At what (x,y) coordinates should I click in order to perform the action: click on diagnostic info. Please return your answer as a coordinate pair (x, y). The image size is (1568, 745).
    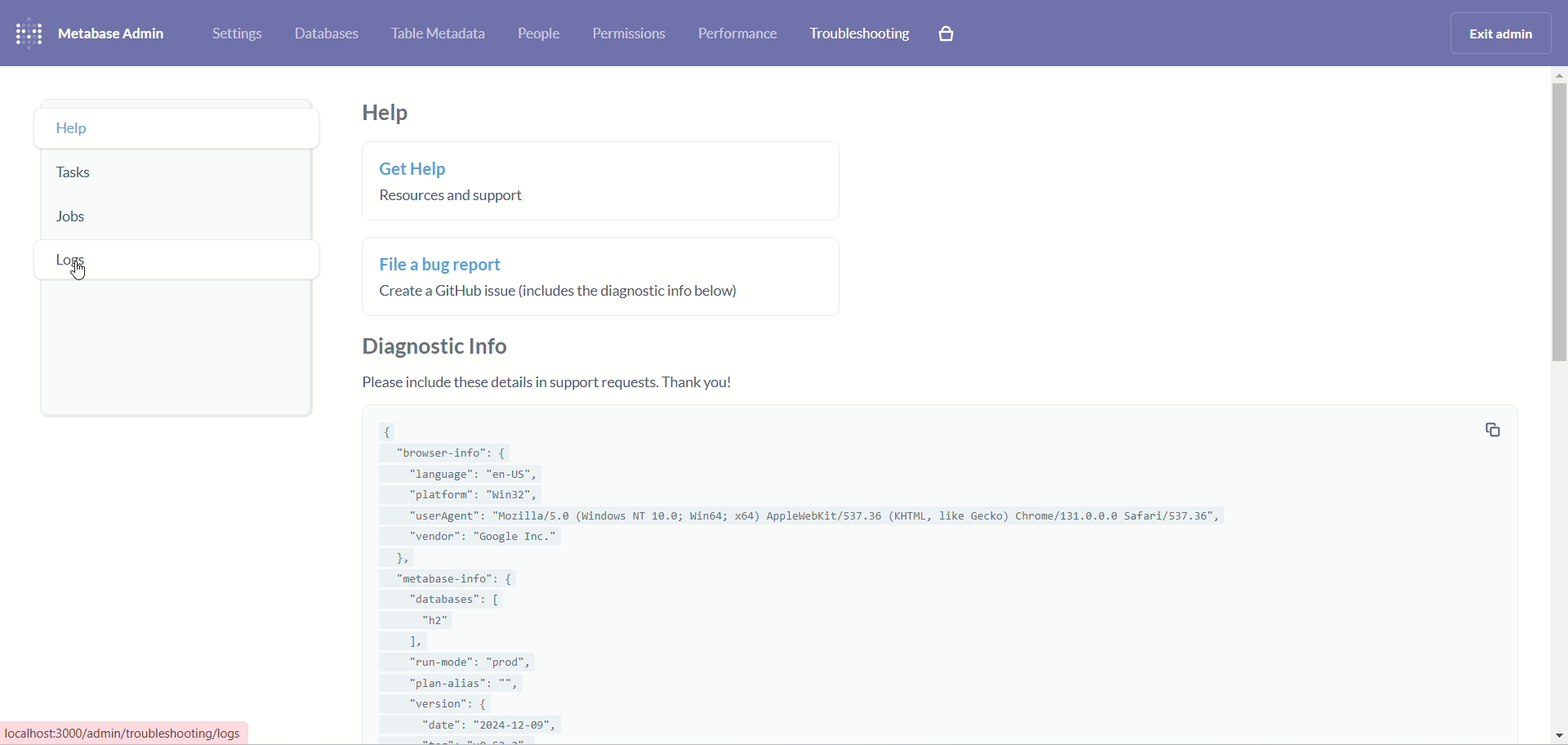
    Looking at the image, I should click on (433, 346).